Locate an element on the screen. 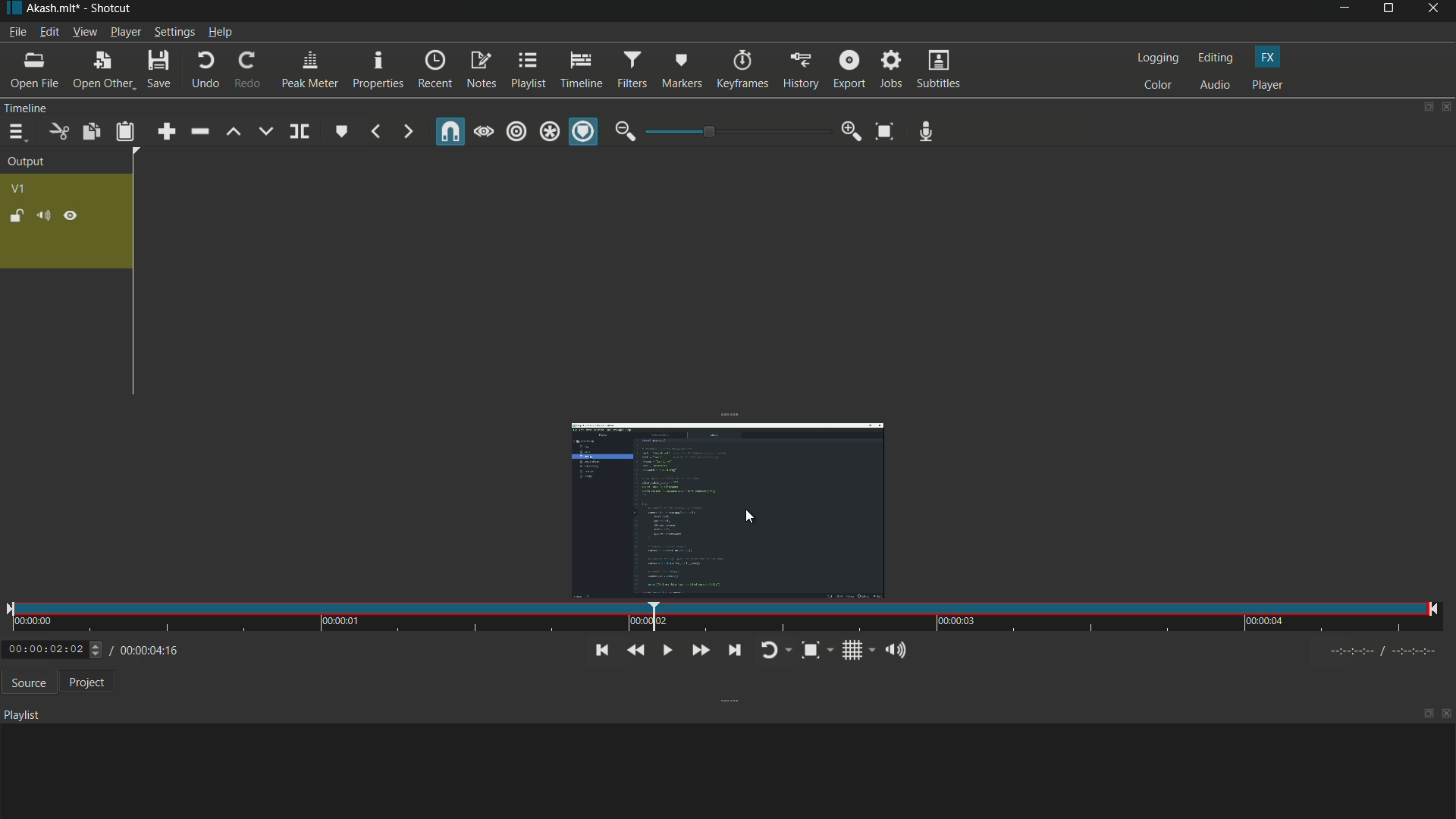 The width and height of the screenshot is (1456, 819). file menu is located at coordinates (17, 32).